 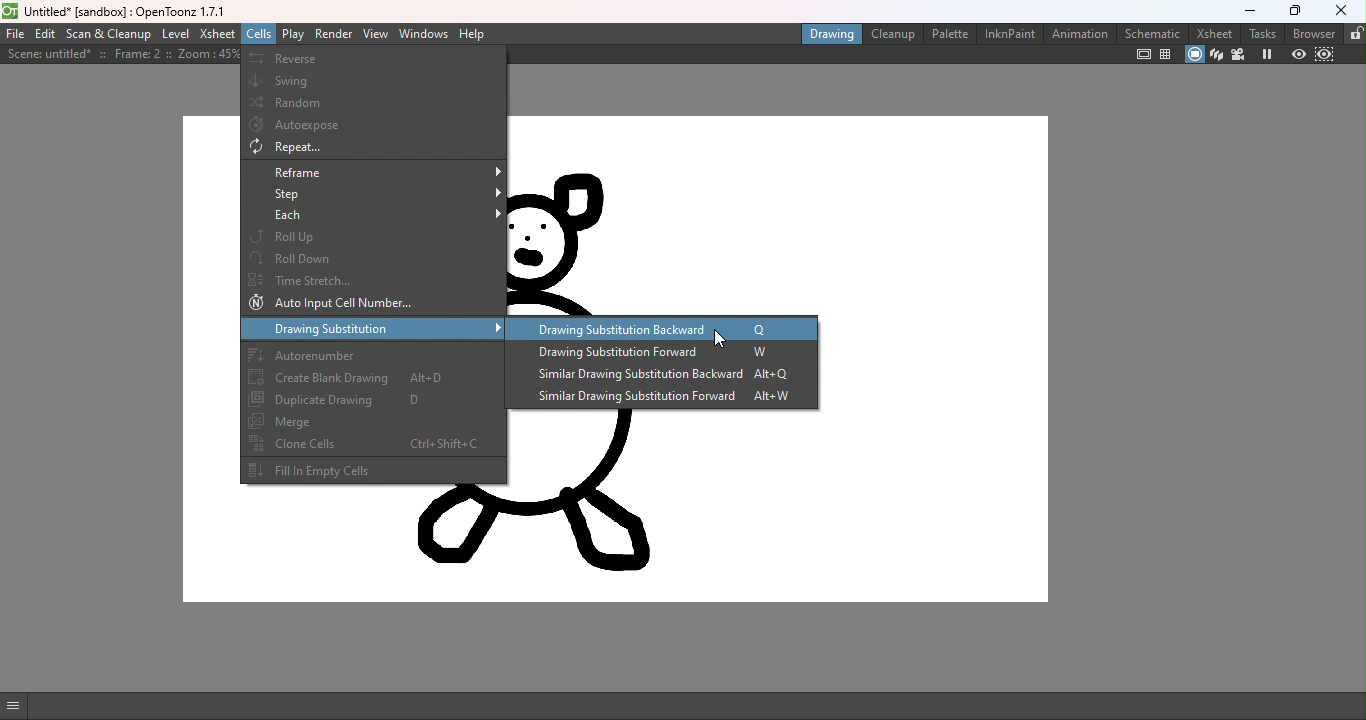 What do you see at coordinates (371, 471) in the screenshot?
I see `Fill in empty cells` at bounding box center [371, 471].